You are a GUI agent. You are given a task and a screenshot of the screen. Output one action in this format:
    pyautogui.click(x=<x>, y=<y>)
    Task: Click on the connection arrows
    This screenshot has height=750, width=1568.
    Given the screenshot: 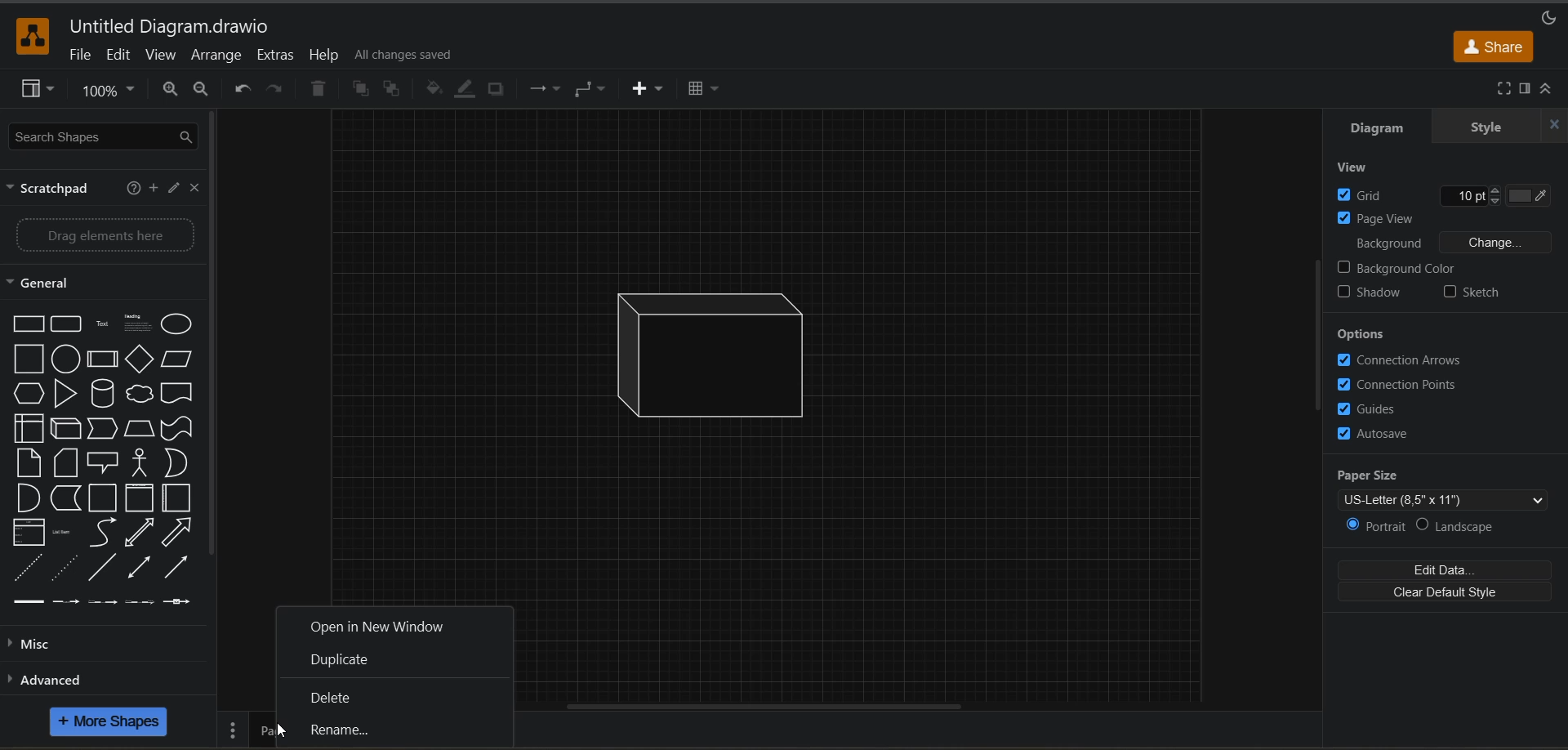 What is the action you would take?
    pyautogui.click(x=1404, y=360)
    